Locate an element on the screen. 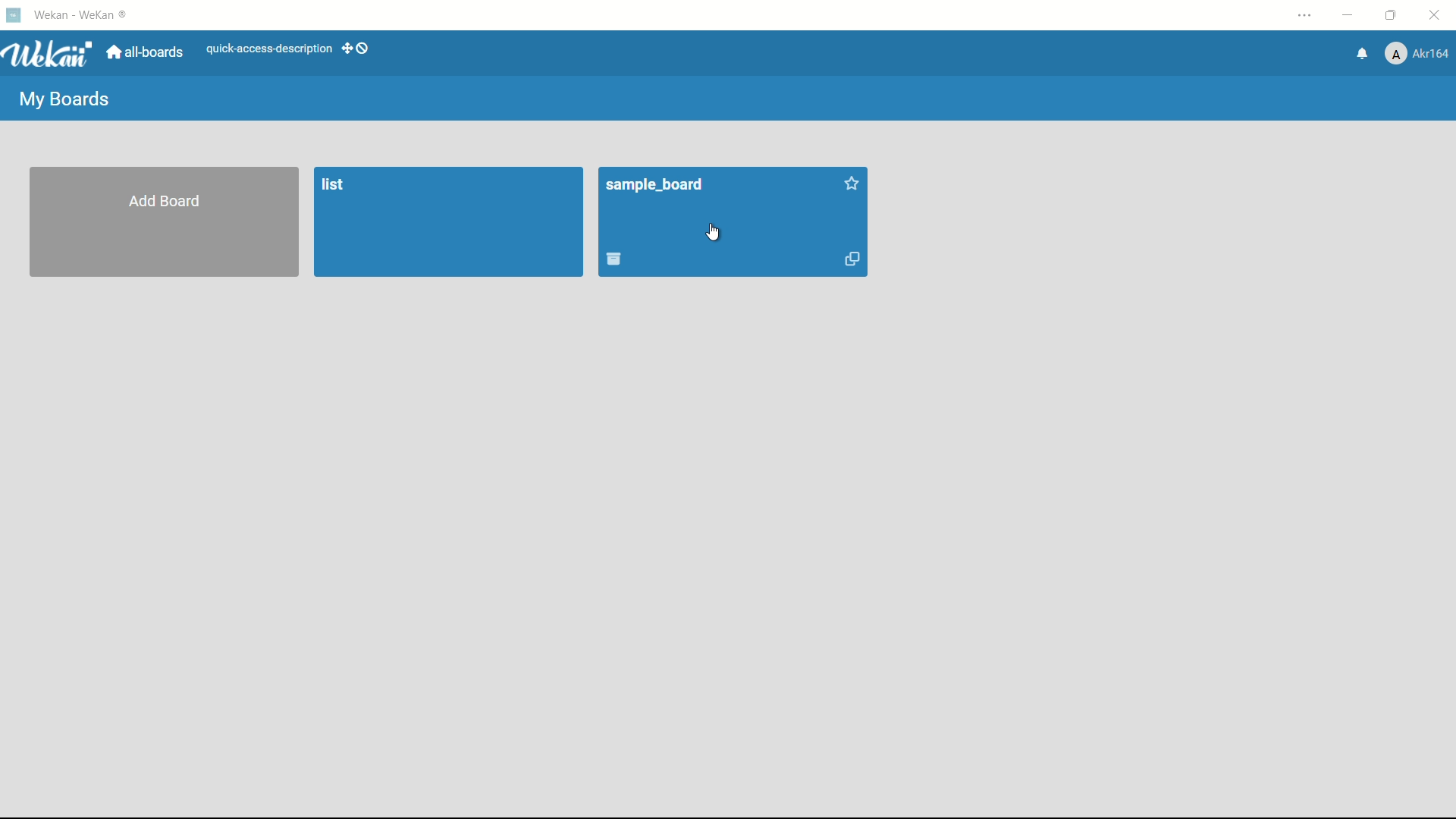  settings and more is located at coordinates (1307, 17).